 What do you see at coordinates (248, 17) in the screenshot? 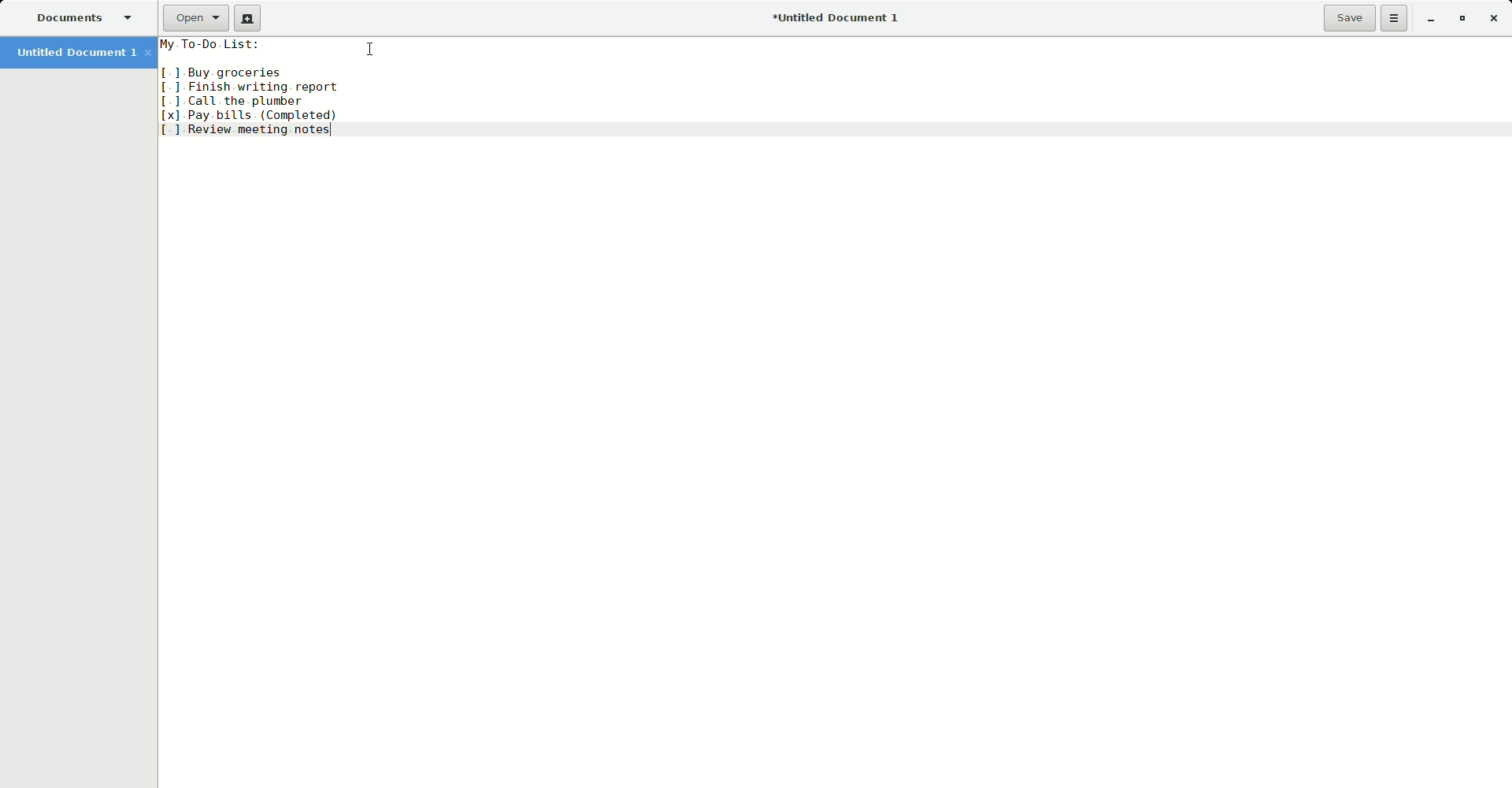
I see `New` at bounding box center [248, 17].